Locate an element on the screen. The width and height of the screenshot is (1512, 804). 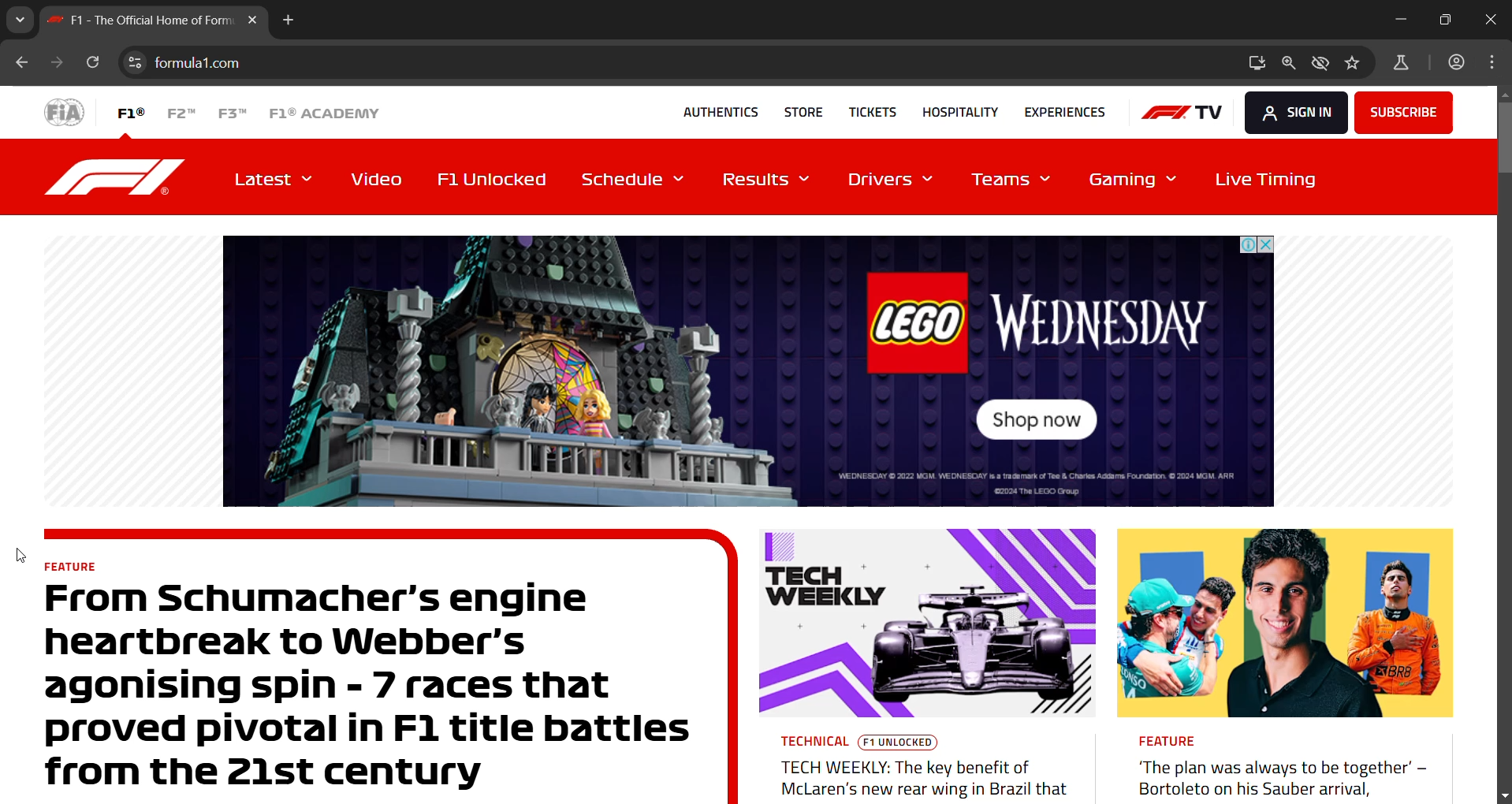
F1 logo is located at coordinates (119, 177).